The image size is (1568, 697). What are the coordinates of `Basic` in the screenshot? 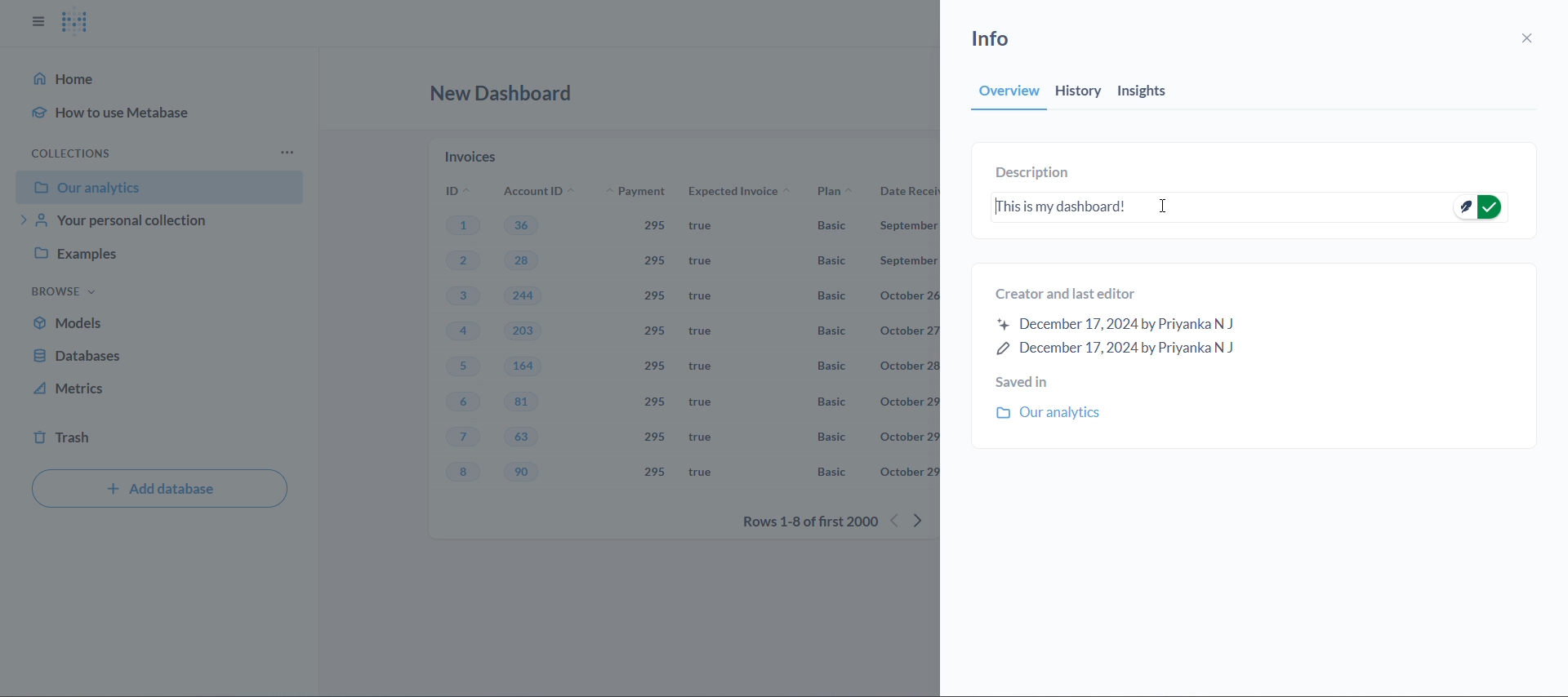 It's located at (827, 300).